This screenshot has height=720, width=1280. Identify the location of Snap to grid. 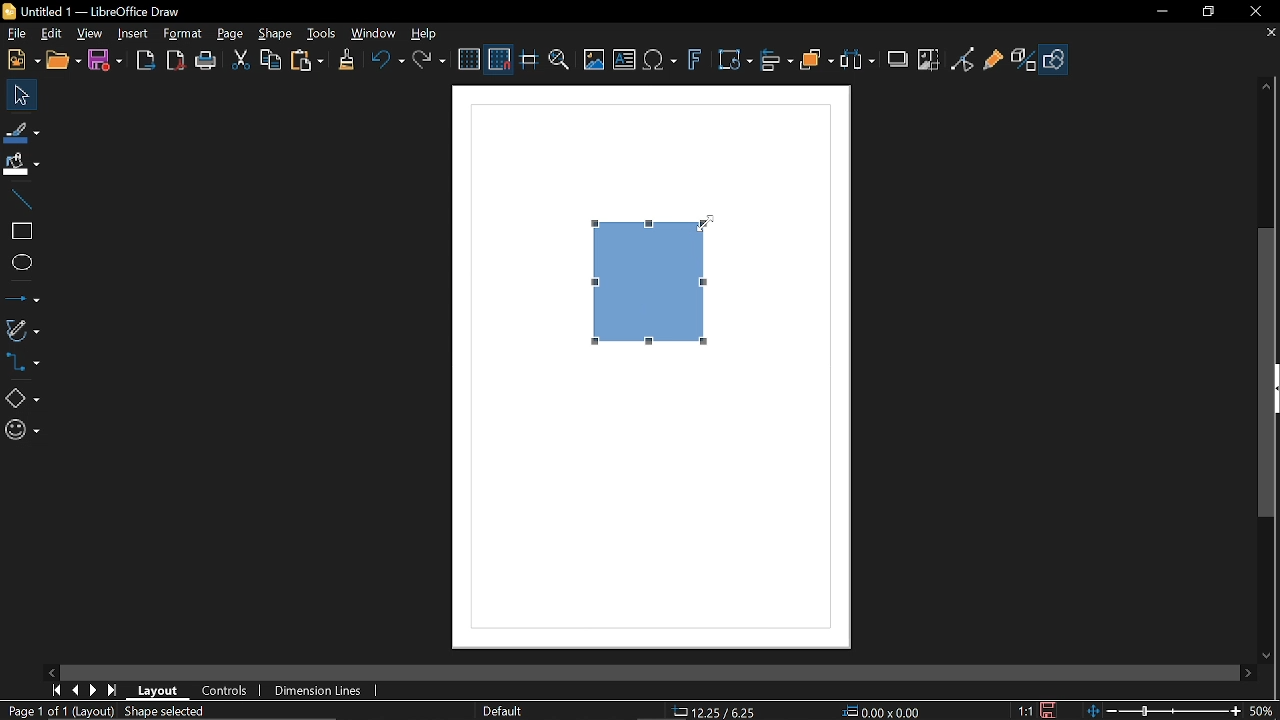
(500, 61).